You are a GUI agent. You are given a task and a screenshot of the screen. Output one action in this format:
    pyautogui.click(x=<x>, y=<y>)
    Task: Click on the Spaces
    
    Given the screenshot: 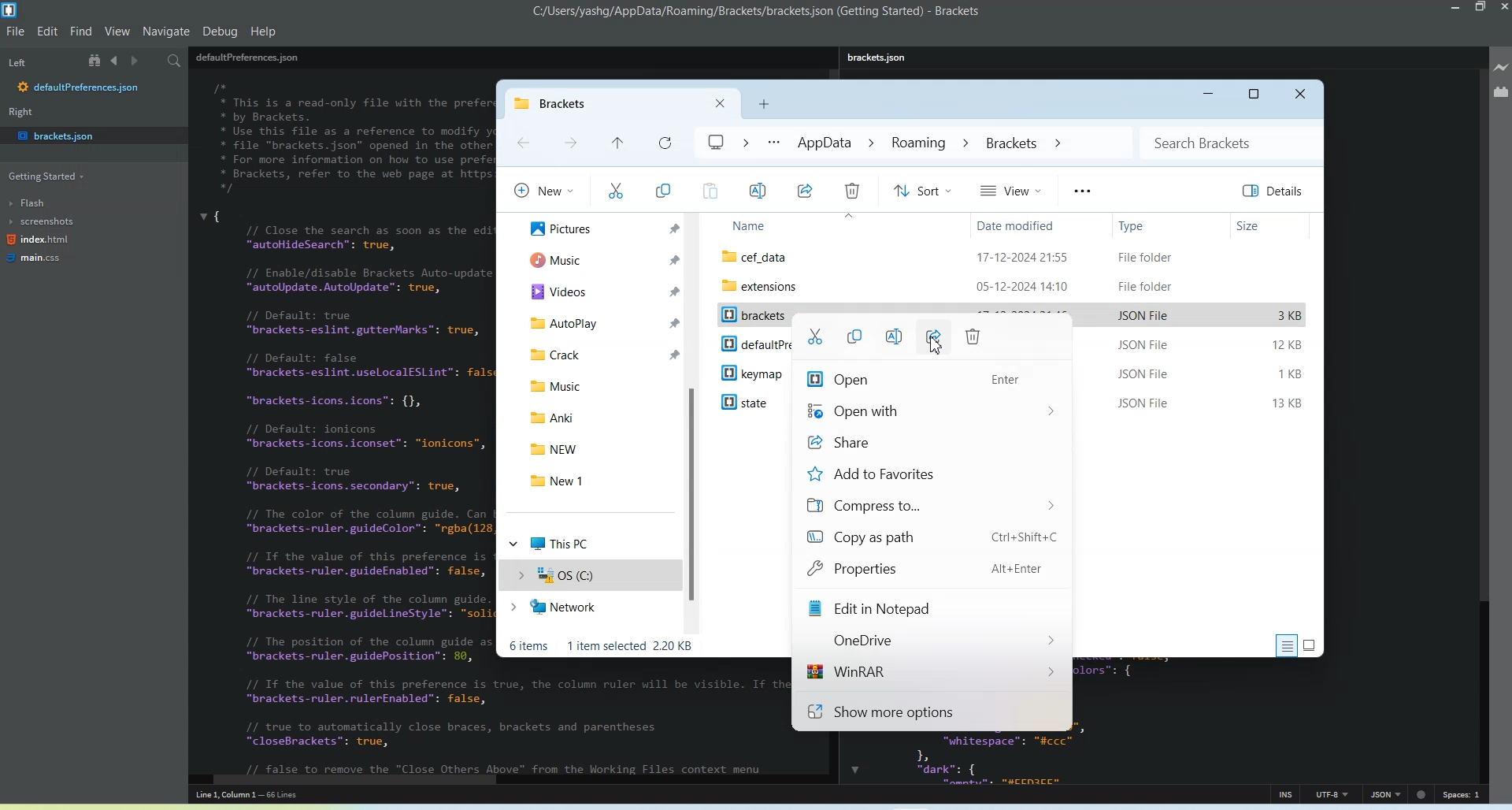 What is the action you would take?
    pyautogui.click(x=1463, y=794)
    